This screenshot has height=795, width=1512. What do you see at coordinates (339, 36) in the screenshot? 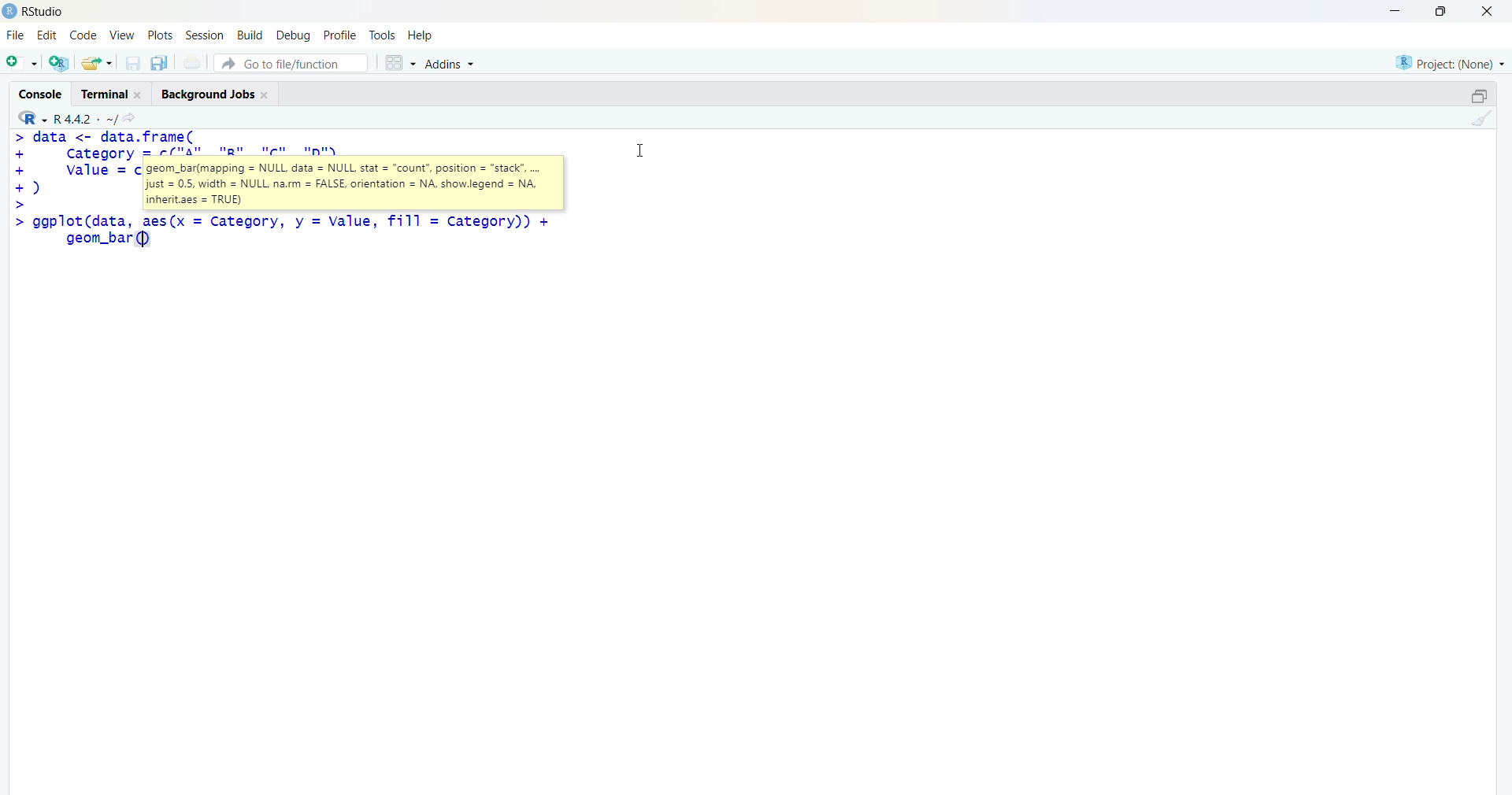
I see `profile` at bounding box center [339, 36].